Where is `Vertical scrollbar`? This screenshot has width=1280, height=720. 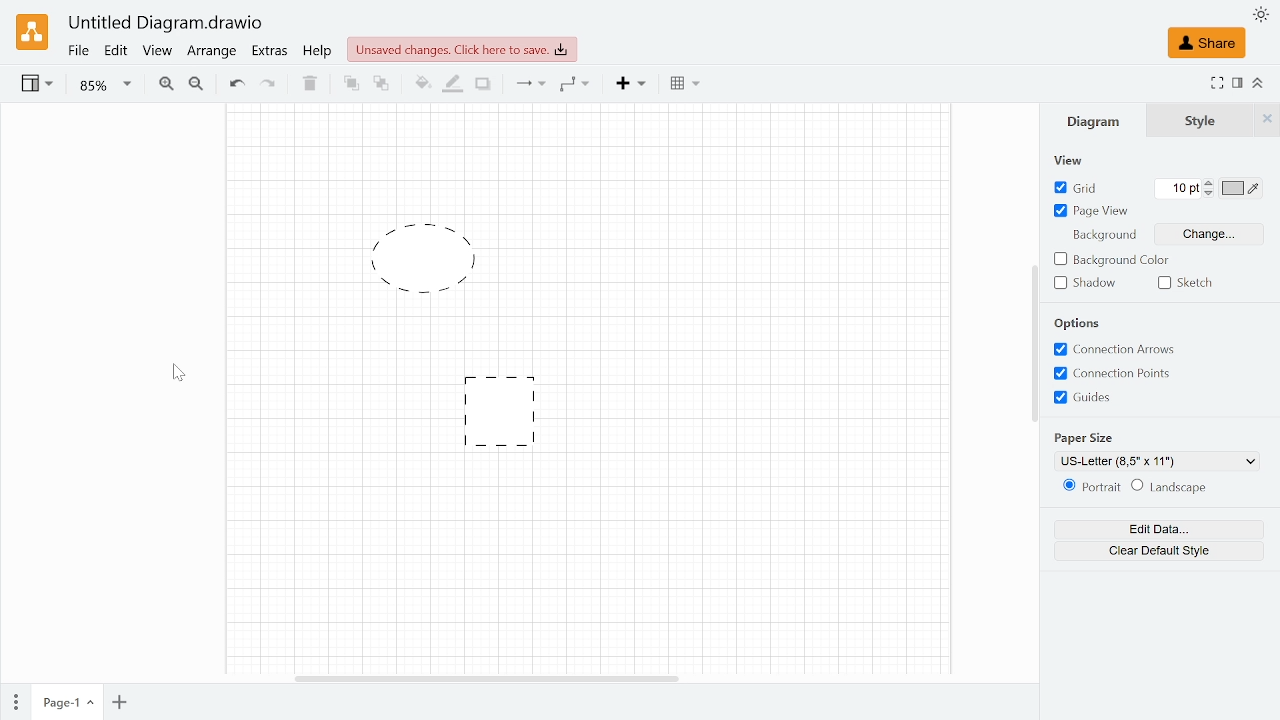 Vertical scrollbar is located at coordinates (1034, 343).